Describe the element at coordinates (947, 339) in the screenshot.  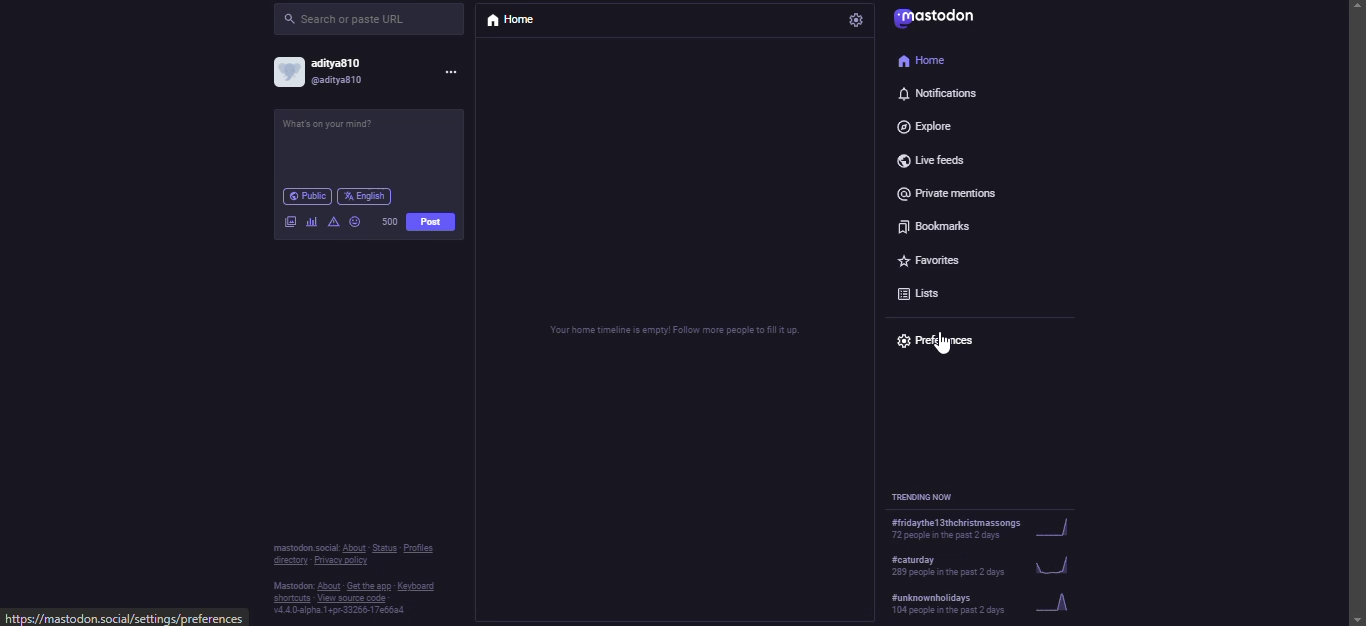
I see `preferences` at that location.